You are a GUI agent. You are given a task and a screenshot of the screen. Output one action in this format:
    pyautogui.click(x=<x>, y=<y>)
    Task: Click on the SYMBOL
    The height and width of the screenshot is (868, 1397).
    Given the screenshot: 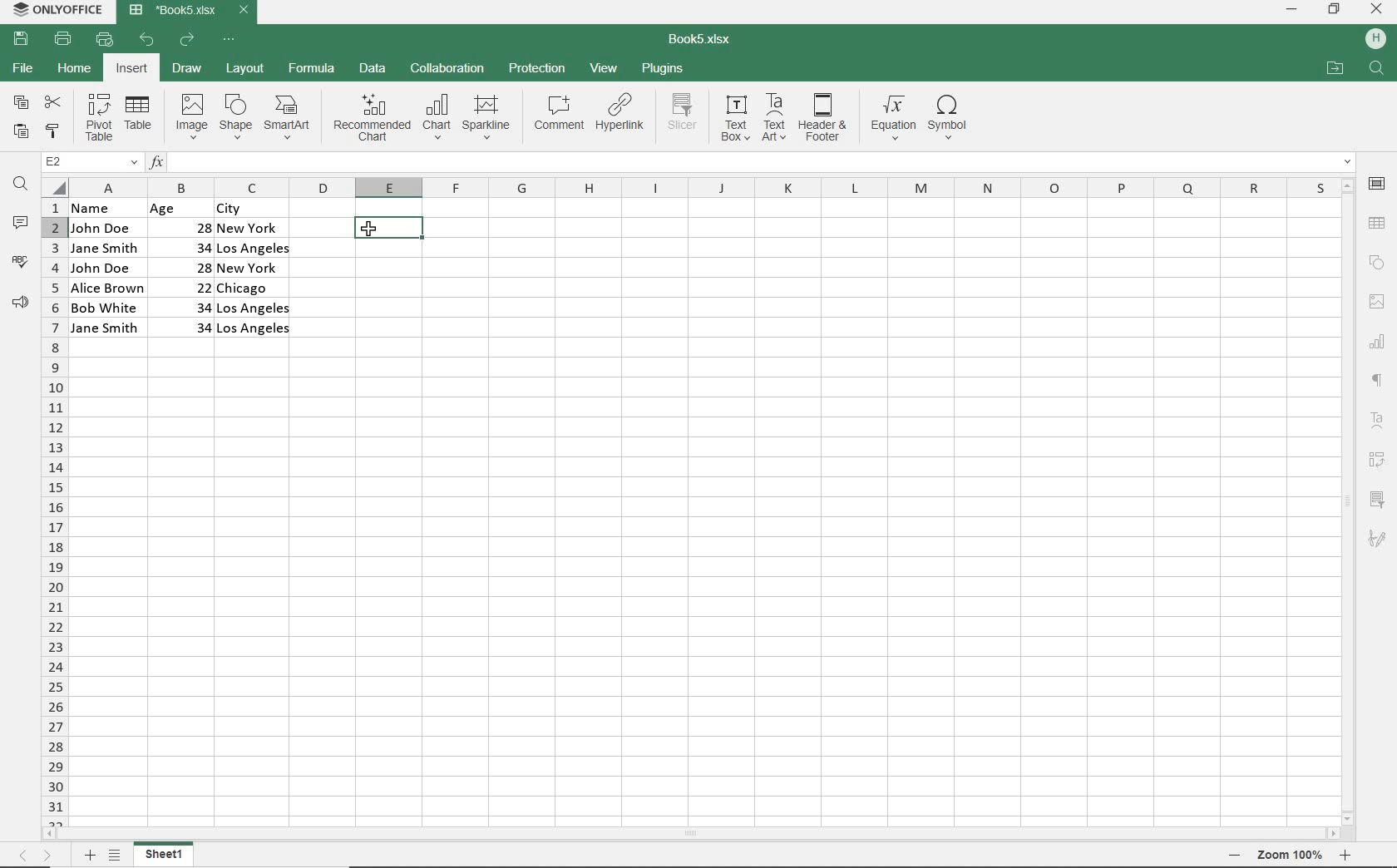 What is the action you would take?
    pyautogui.click(x=953, y=117)
    